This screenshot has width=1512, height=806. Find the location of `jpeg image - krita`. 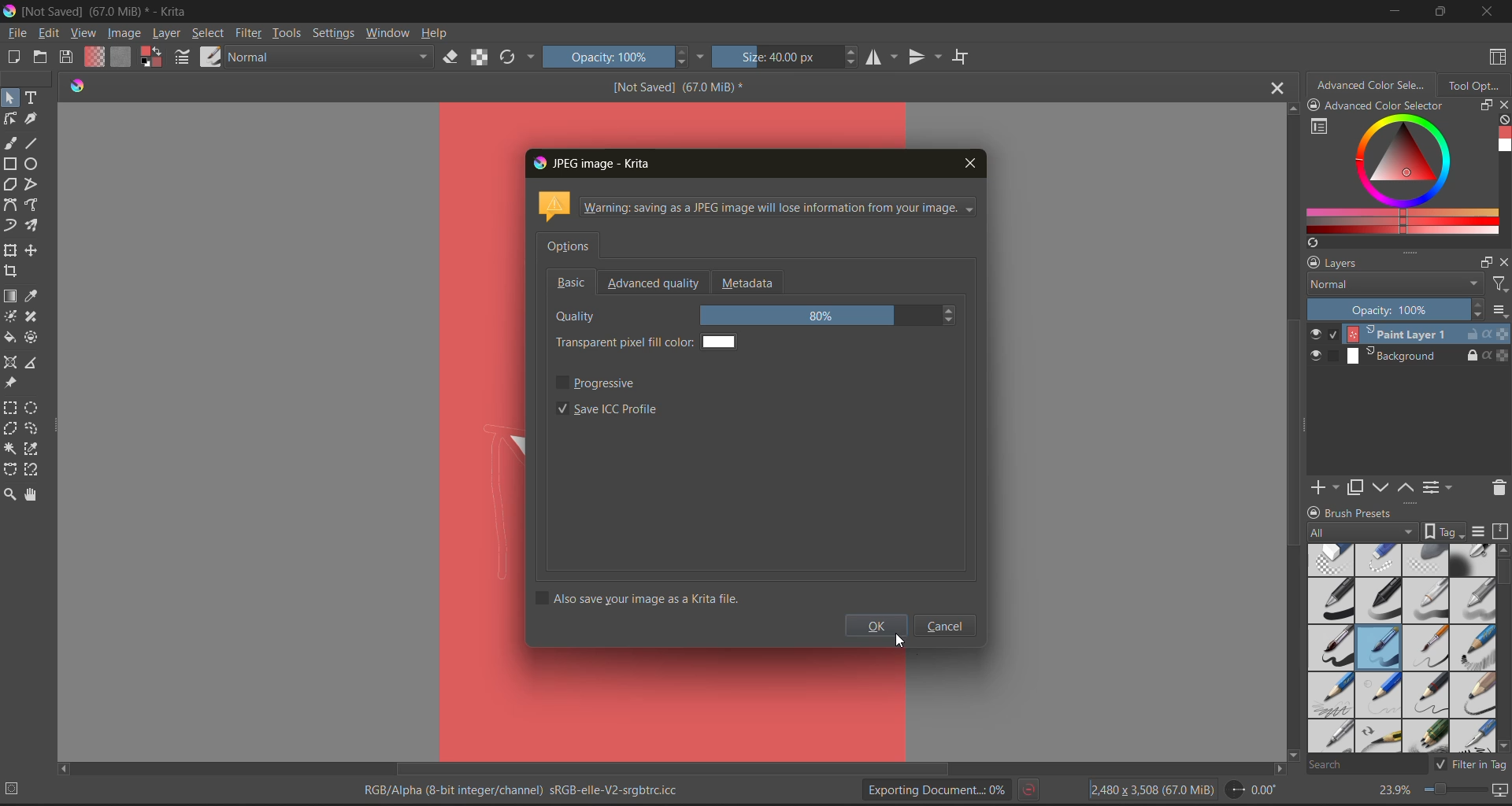

jpeg image - krita is located at coordinates (598, 165).